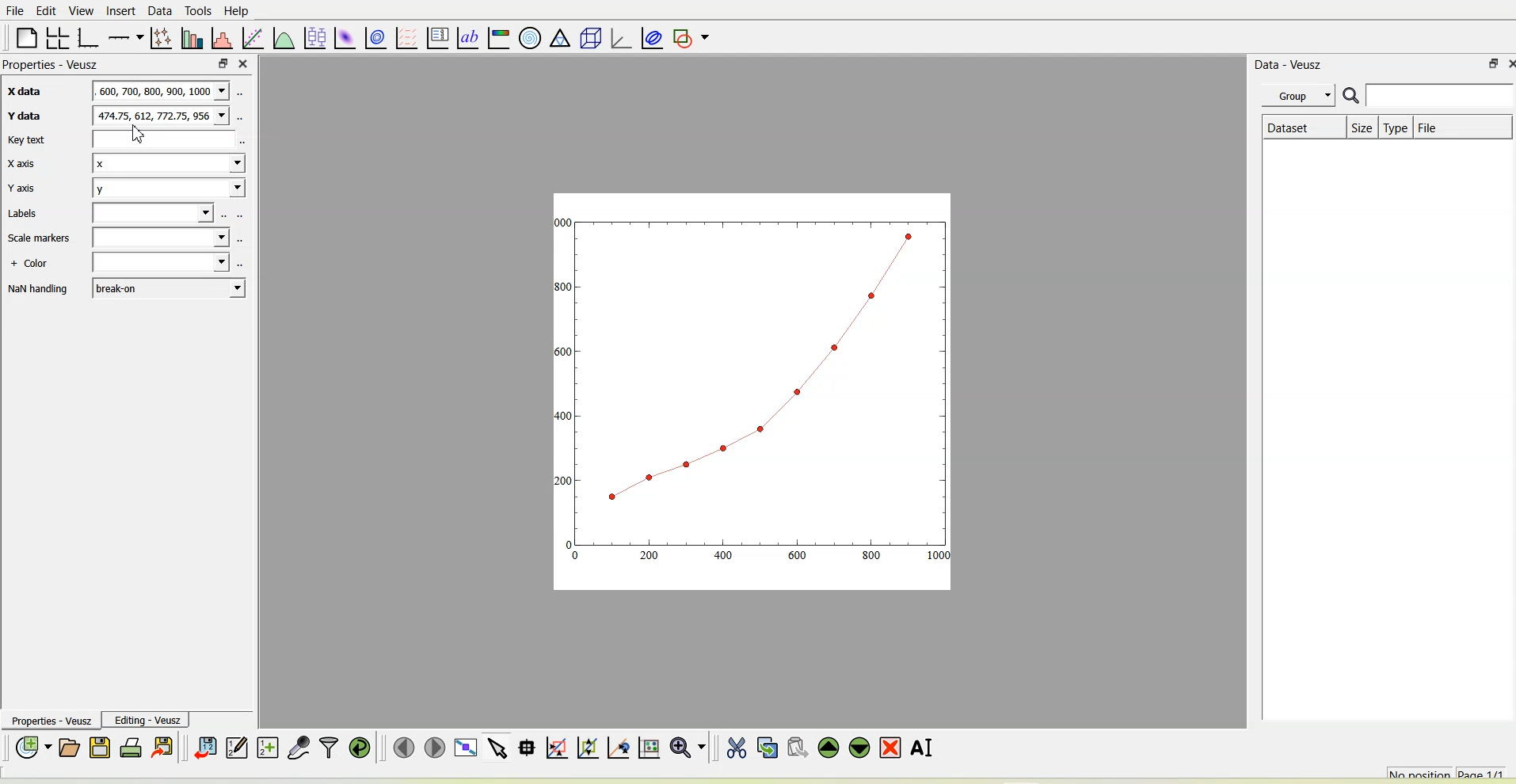  Describe the element at coordinates (526, 748) in the screenshot. I see `Read data points on the graph` at that location.